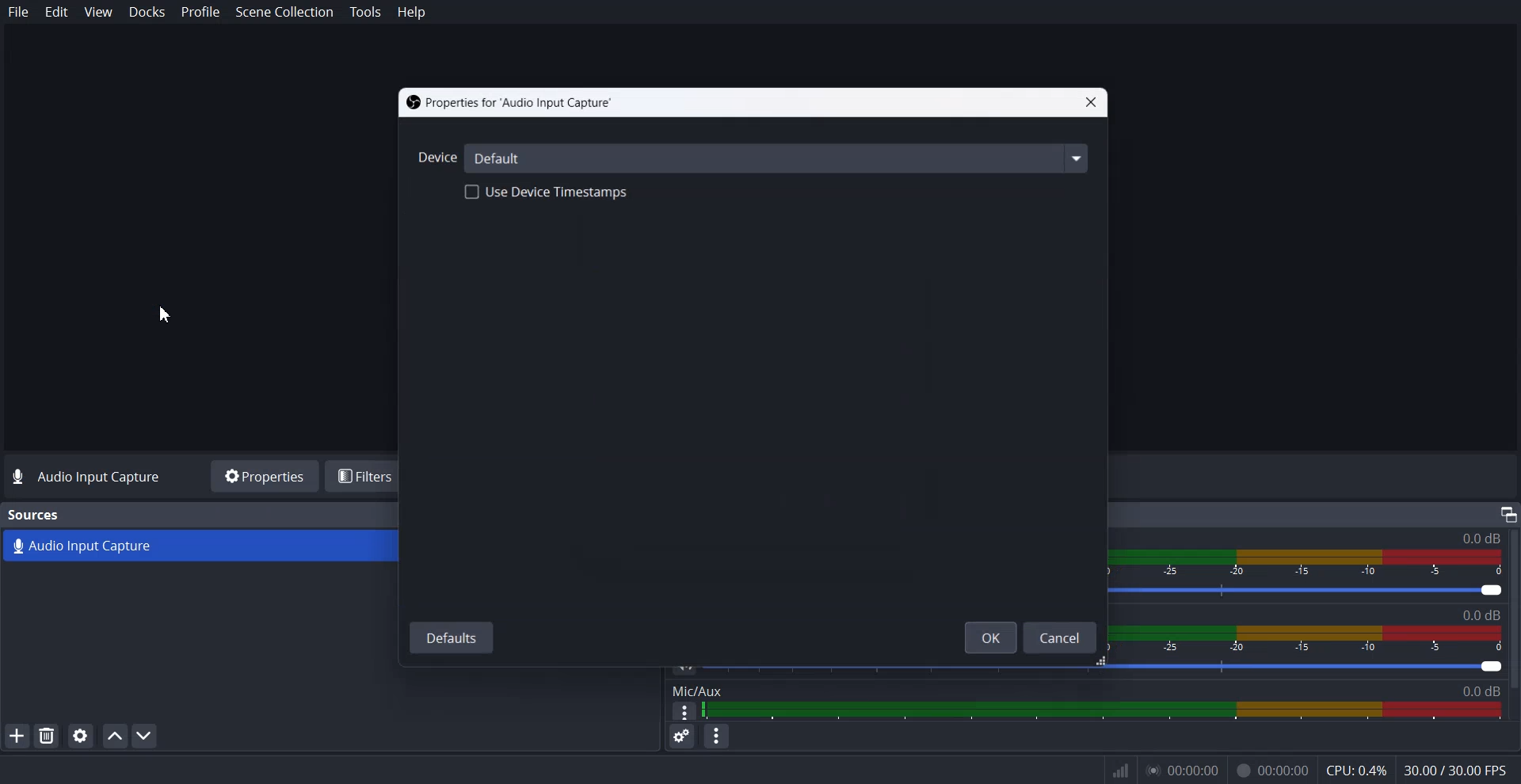 The image size is (1521, 784). What do you see at coordinates (115, 736) in the screenshot?
I see `Move source up` at bounding box center [115, 736].